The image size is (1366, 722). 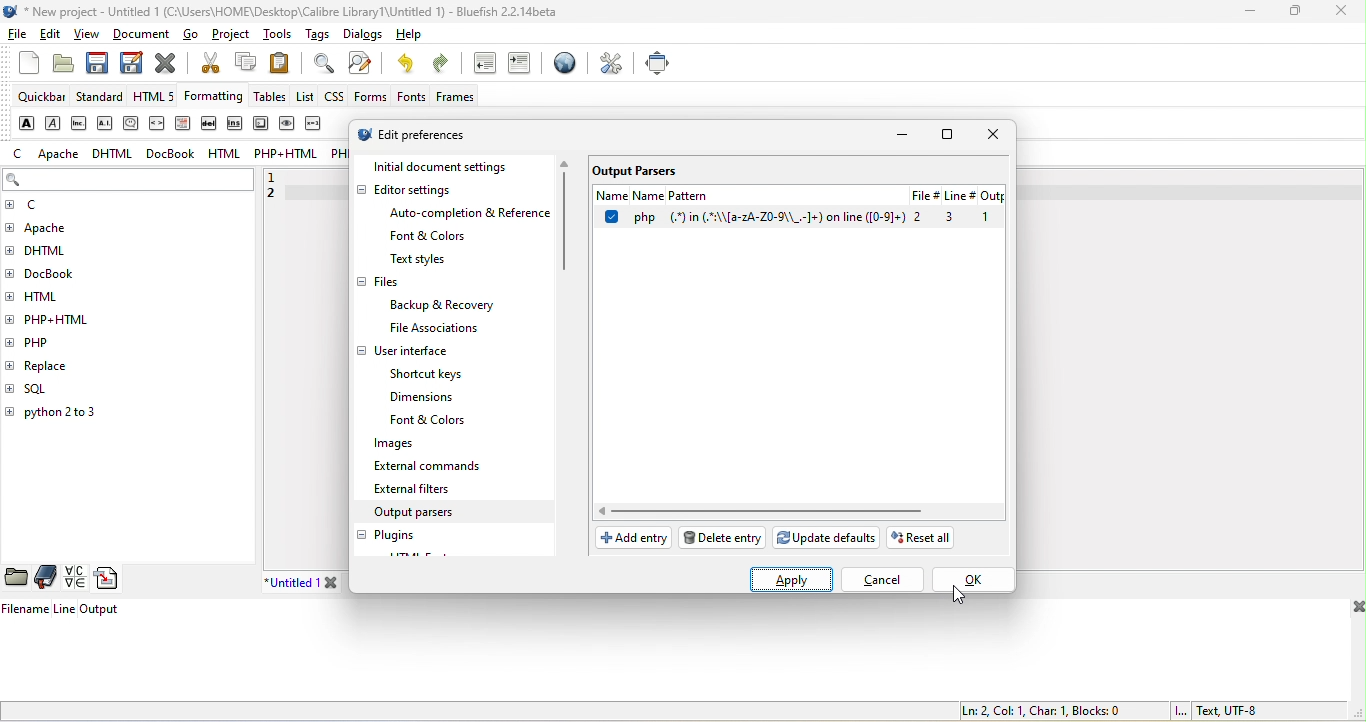 I want to click on apache, so click(x=62, y=228).